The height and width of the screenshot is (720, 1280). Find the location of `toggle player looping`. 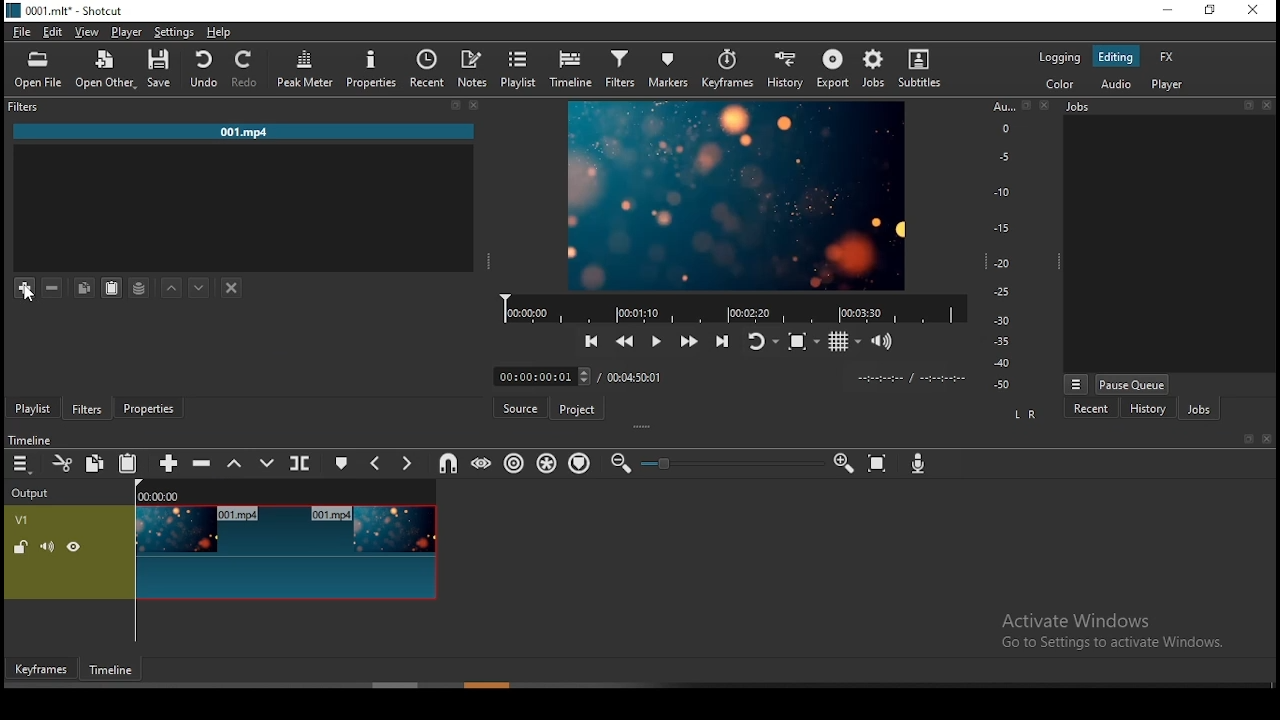

toggle player looping is located at coordinates (758, 338).